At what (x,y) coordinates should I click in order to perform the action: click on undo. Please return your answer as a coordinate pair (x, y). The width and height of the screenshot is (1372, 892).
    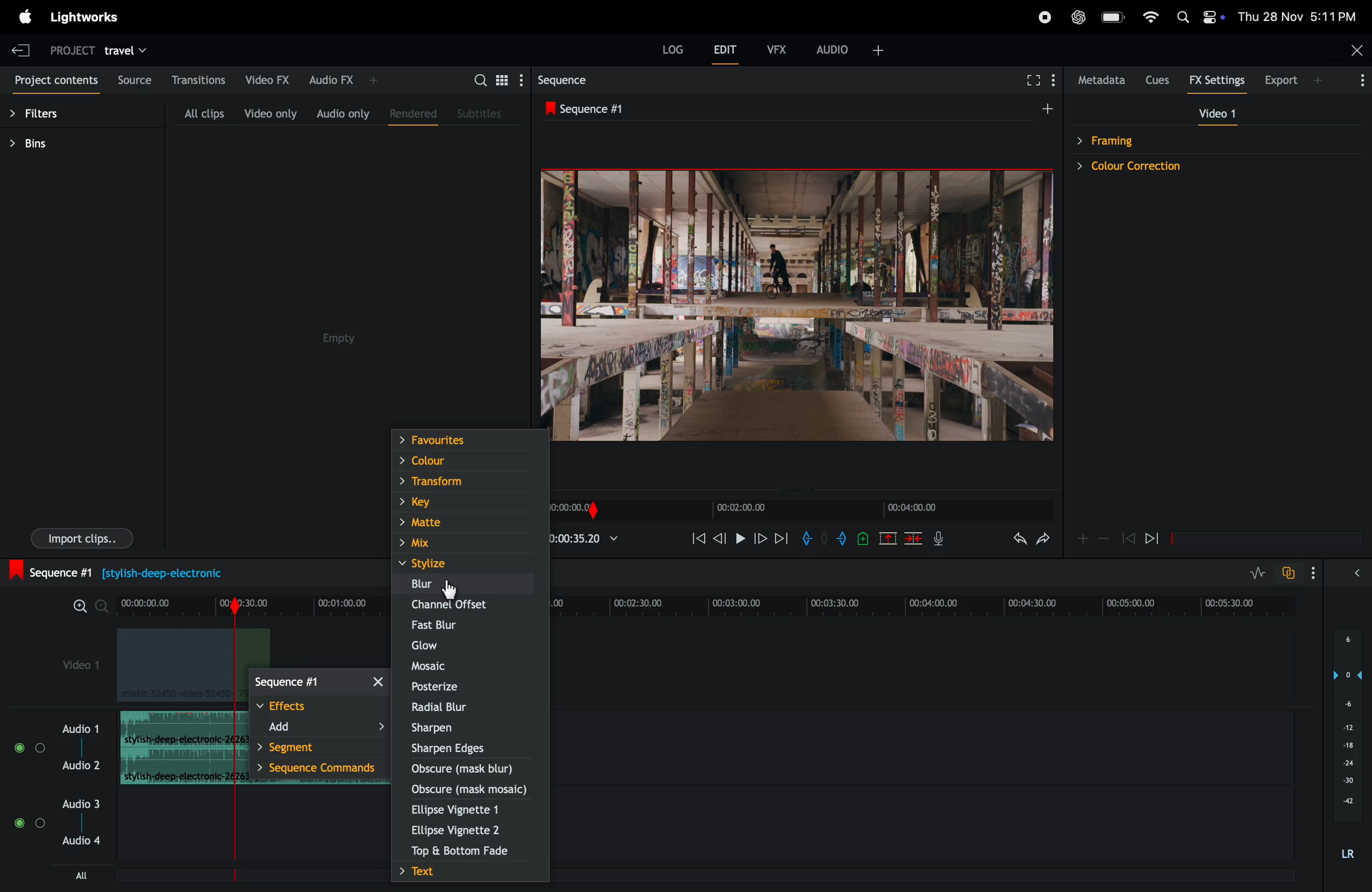
    Looking at the image, I should click on (1011, 543).